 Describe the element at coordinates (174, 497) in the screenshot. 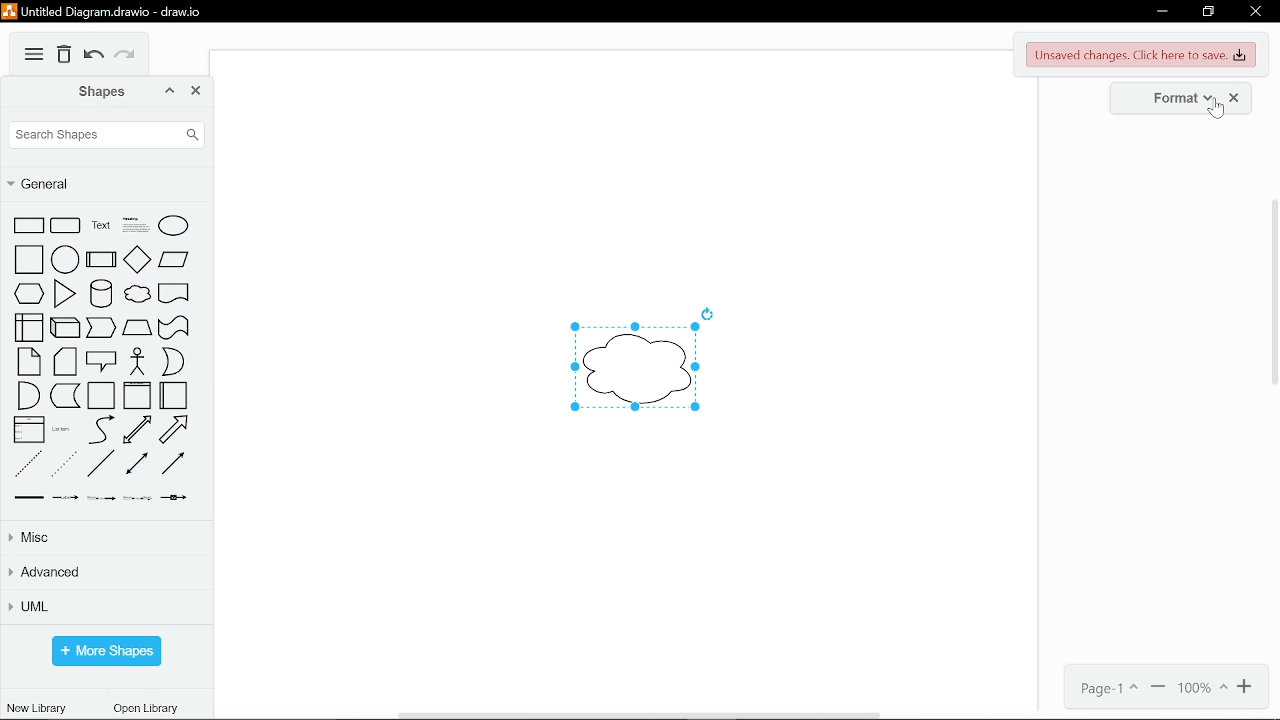

I see `connector with symbol` at that location.